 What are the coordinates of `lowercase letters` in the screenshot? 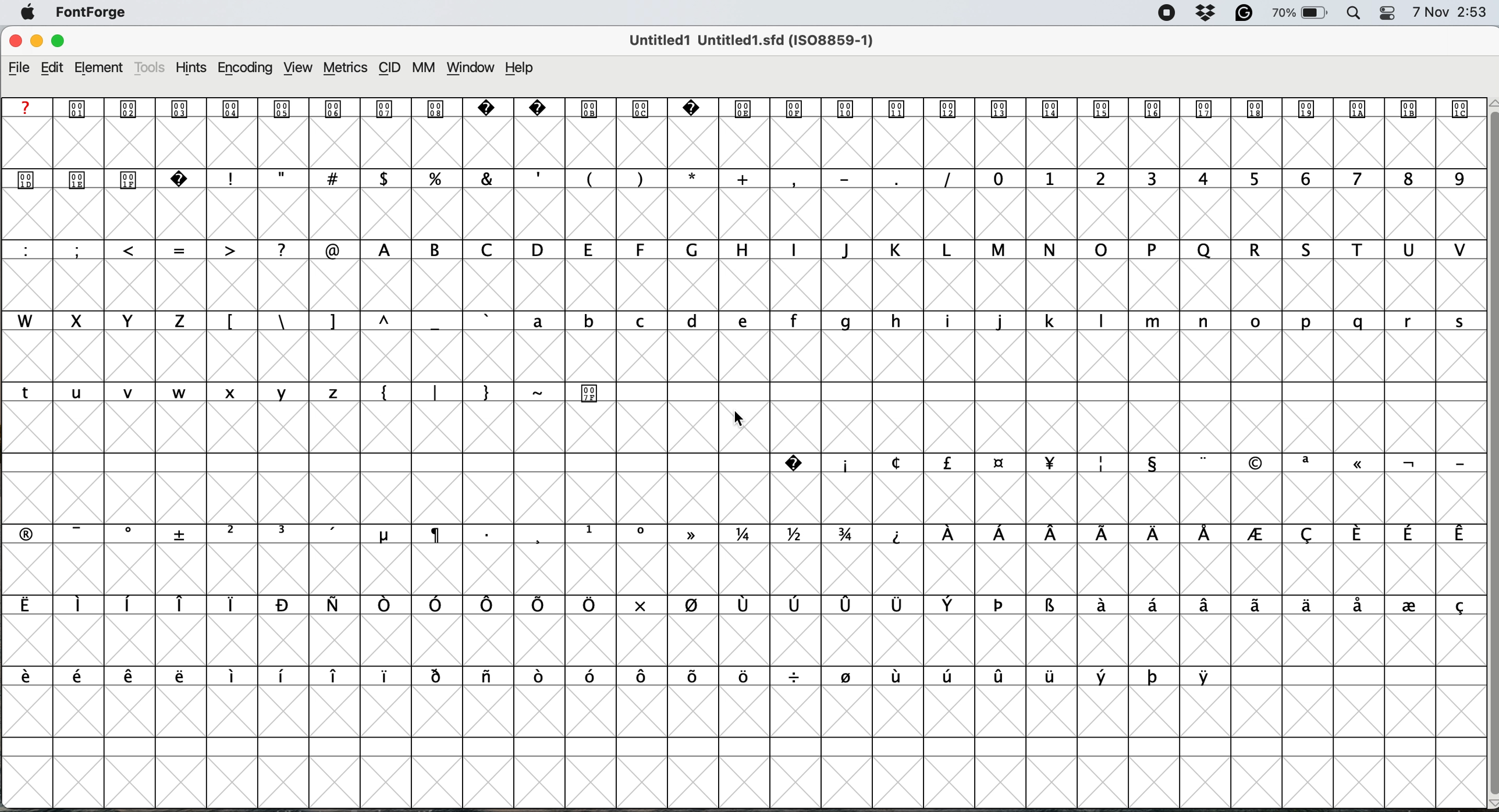 It's located at (184, 392).